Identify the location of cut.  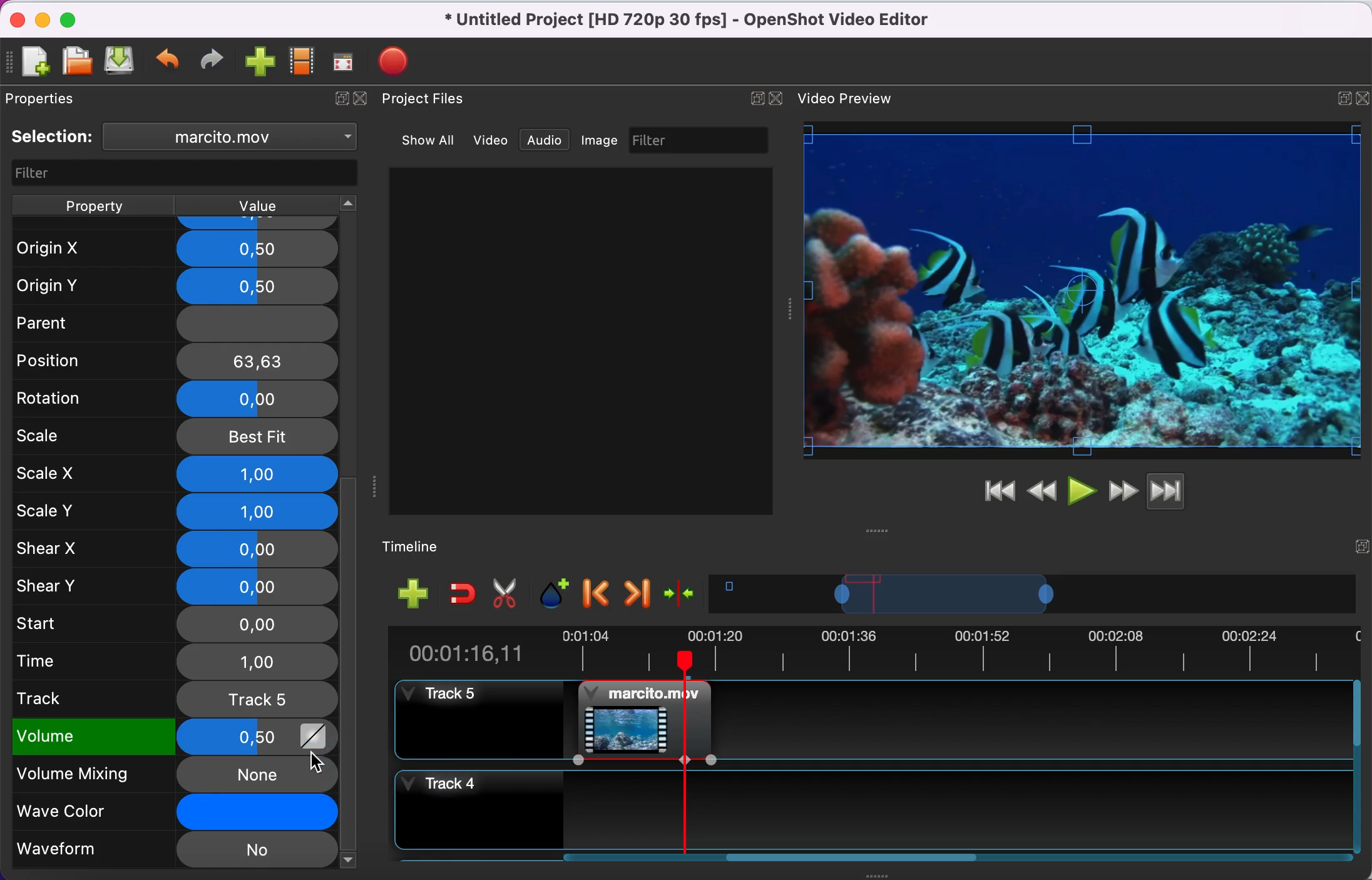
(509, 595).